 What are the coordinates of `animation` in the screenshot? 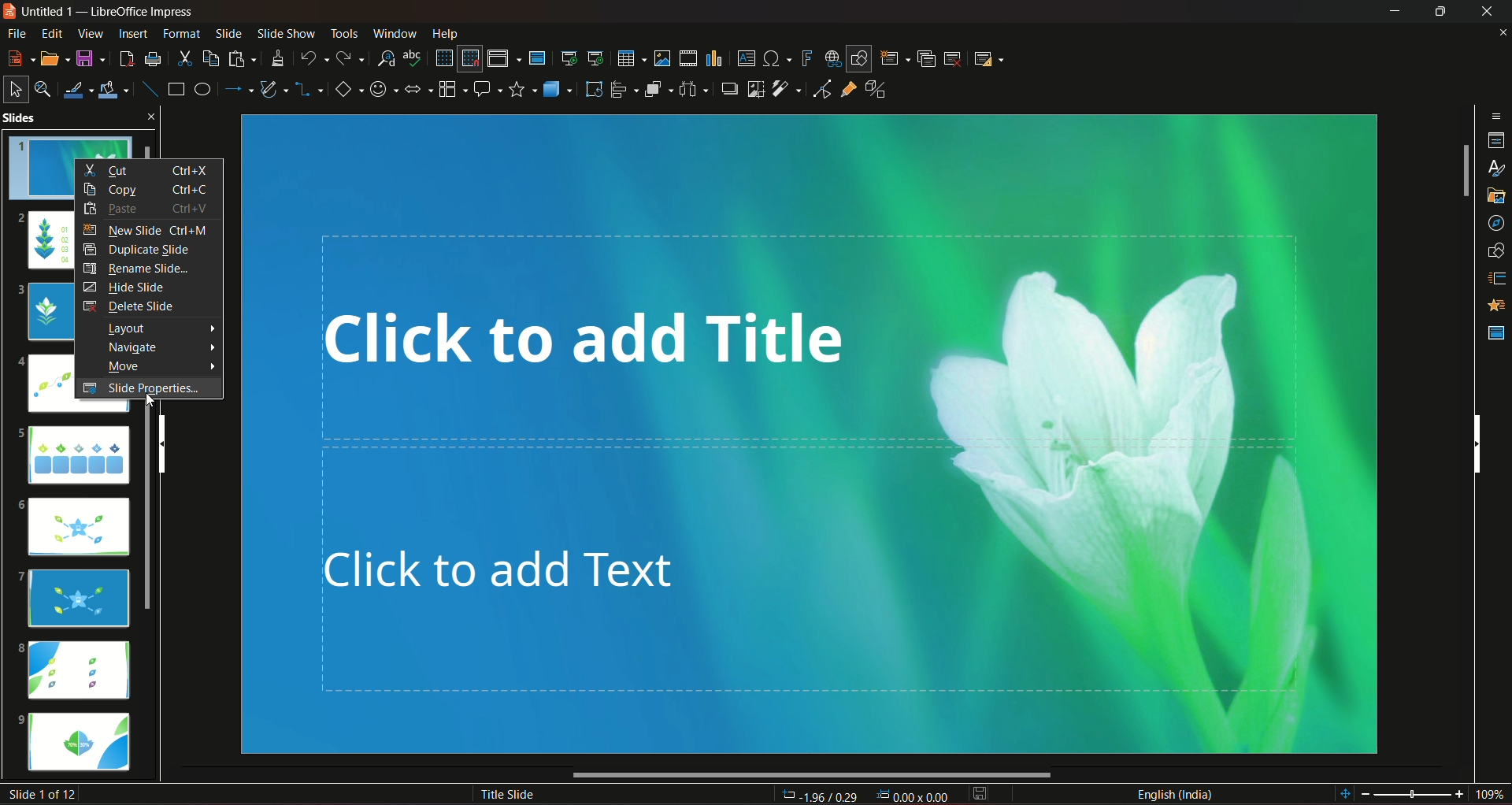 It's located at (1492, 306).